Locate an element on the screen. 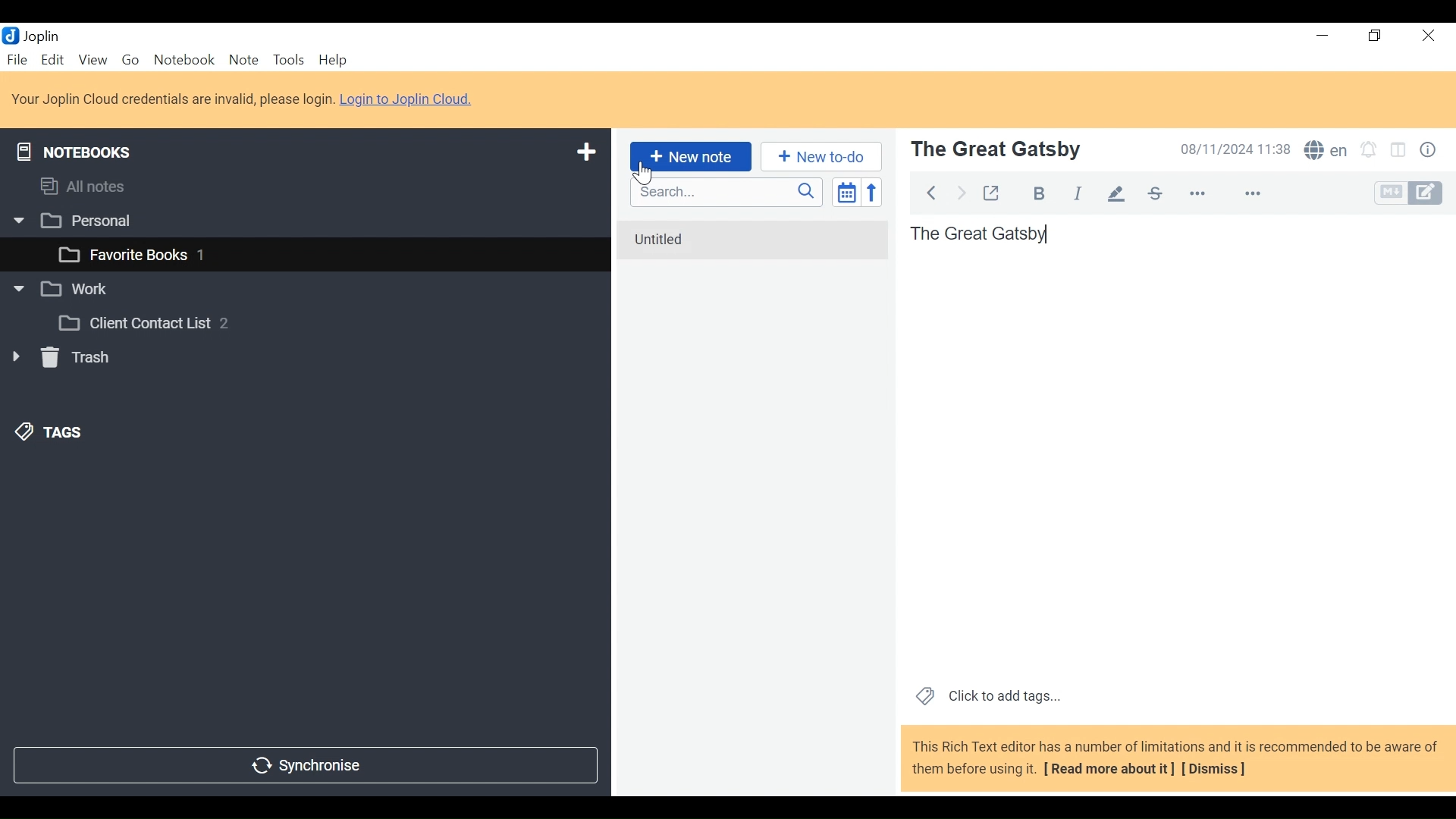 This screenshot has height=819, width=1456. Strikethrough is located at coordinates (1156, 195).